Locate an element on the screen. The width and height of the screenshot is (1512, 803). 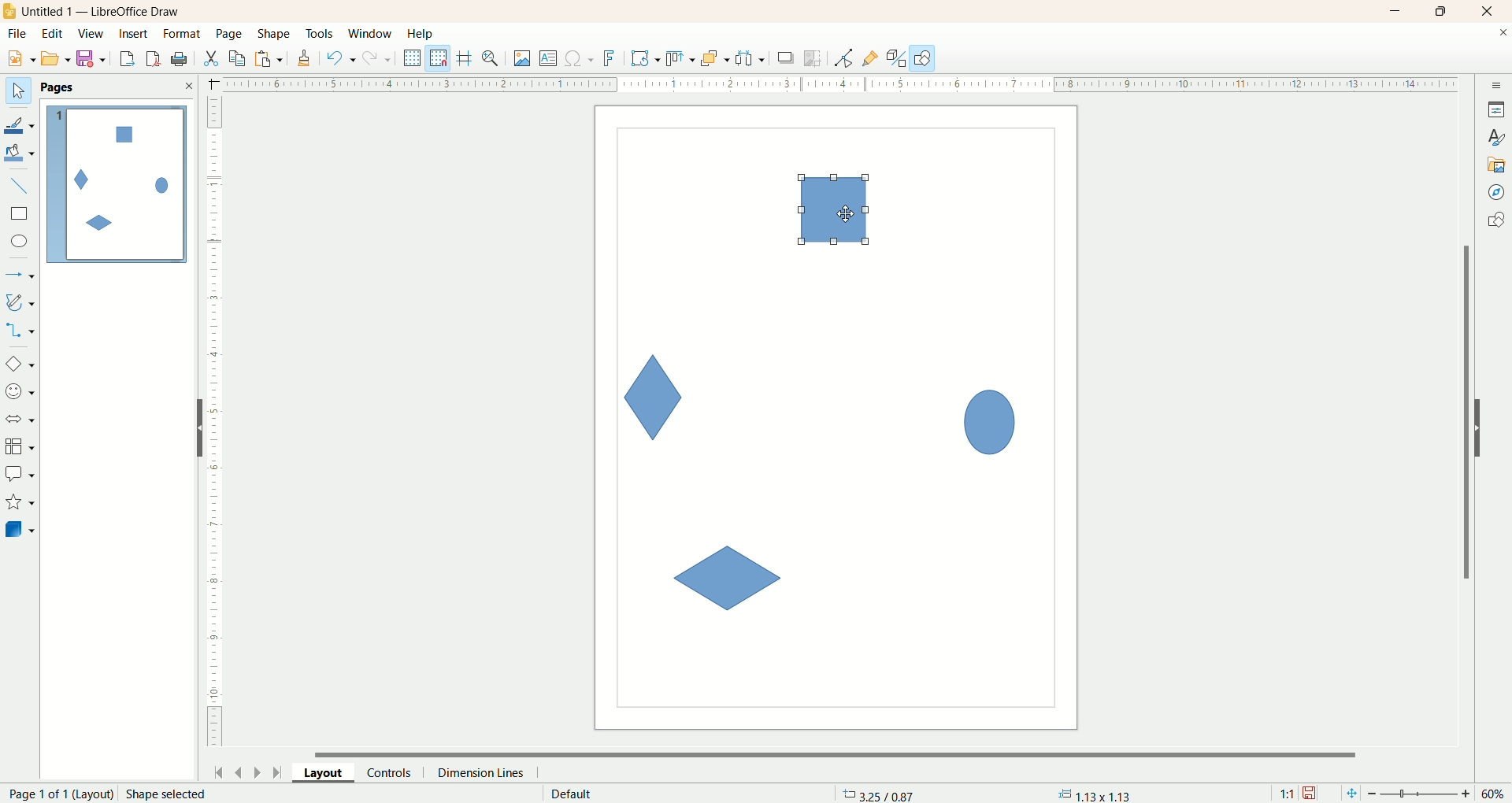
default is located at coordinates (573, 794).